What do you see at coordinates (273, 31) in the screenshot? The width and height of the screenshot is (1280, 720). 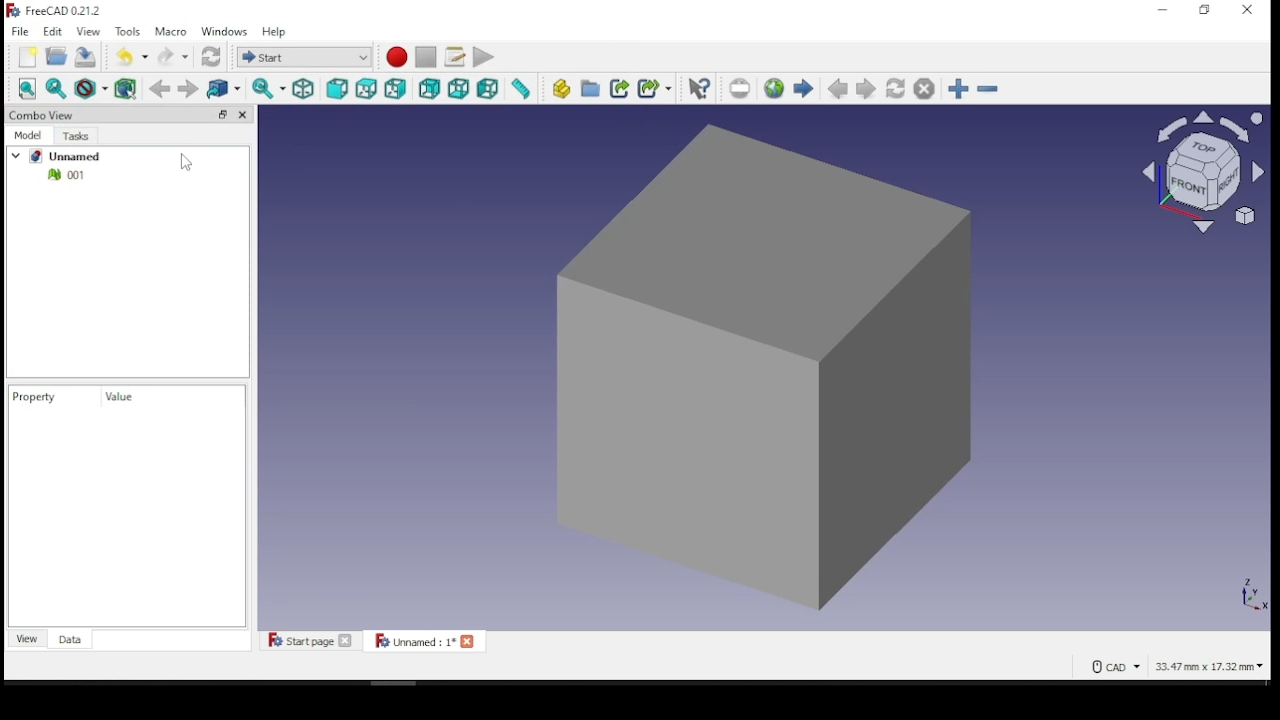 I see `help` at bounding box center [273, 31].